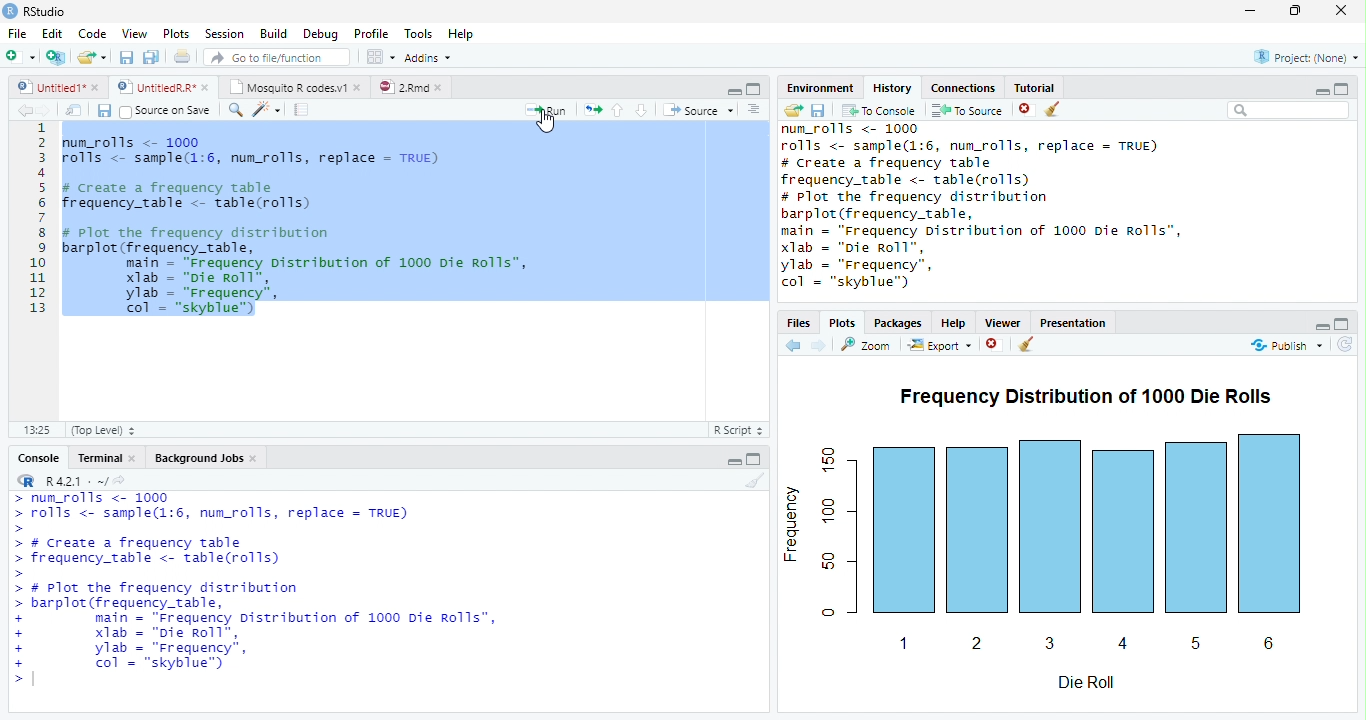  What do you see at coordinates (182, 56) in the screenshot?
I see `Print` at bounding box center [182, 56].